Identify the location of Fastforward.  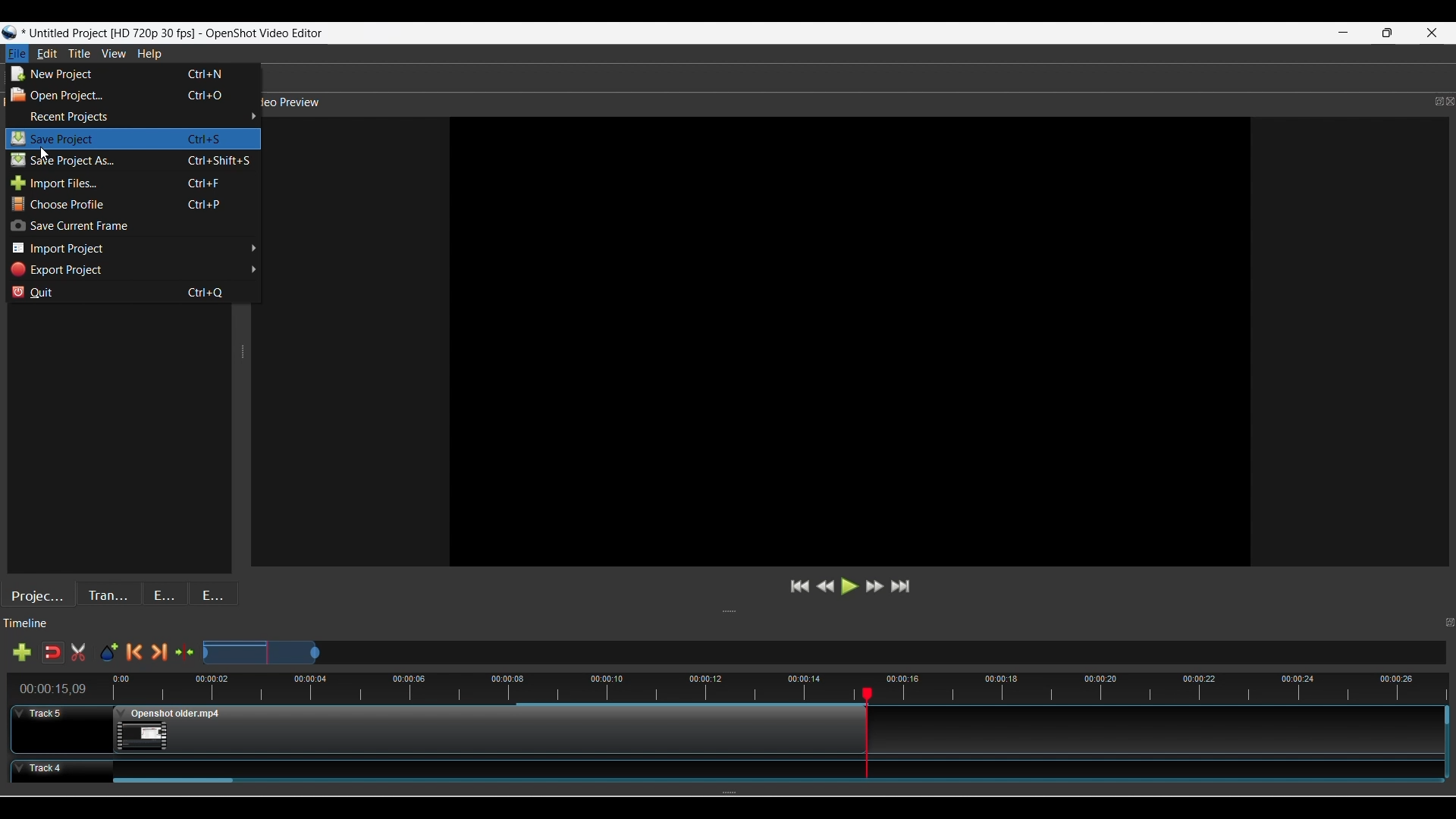
(875, 586).